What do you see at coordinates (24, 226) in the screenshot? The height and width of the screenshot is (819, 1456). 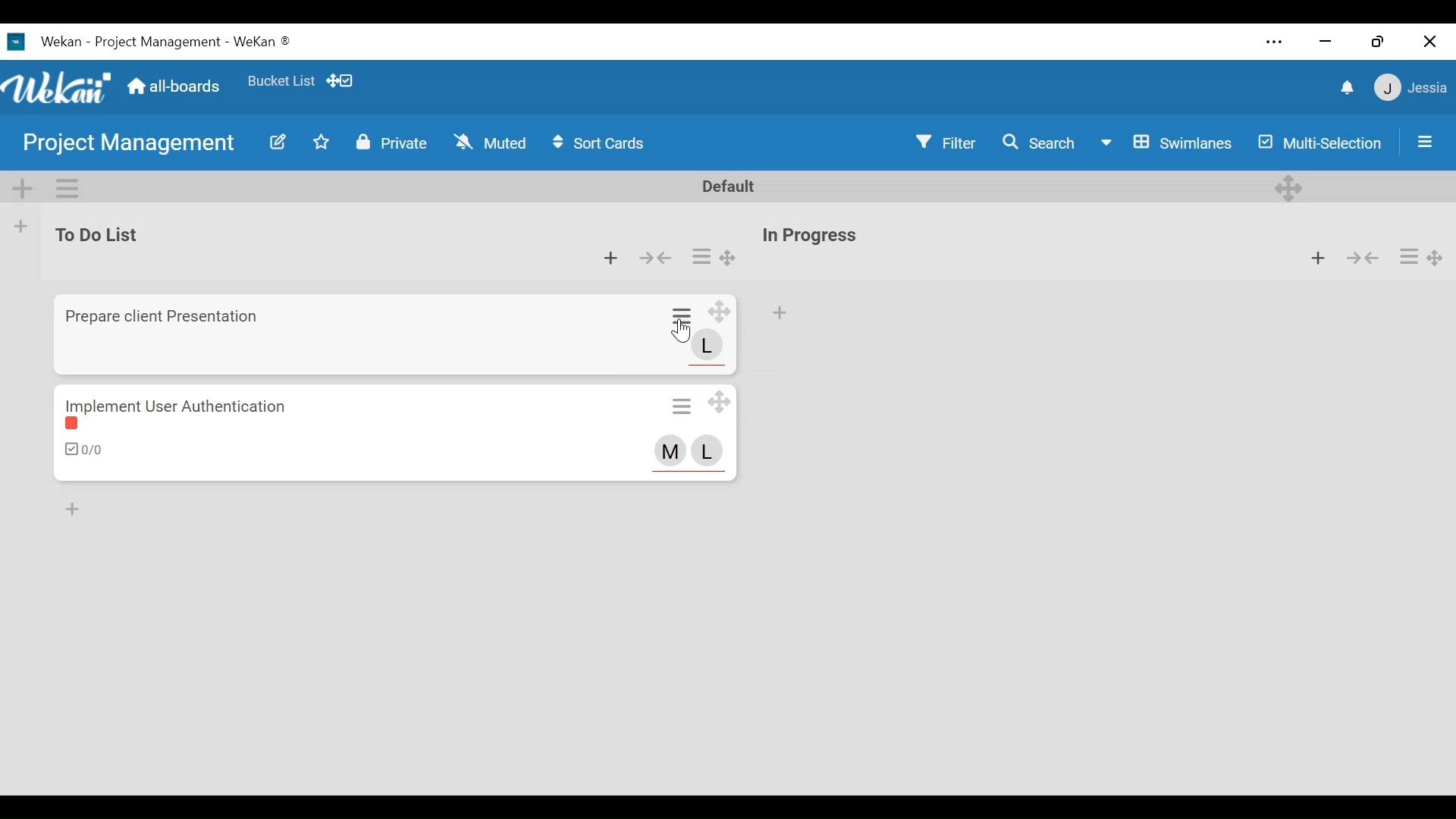 I see `Add list` at bounding box center [24, 226].